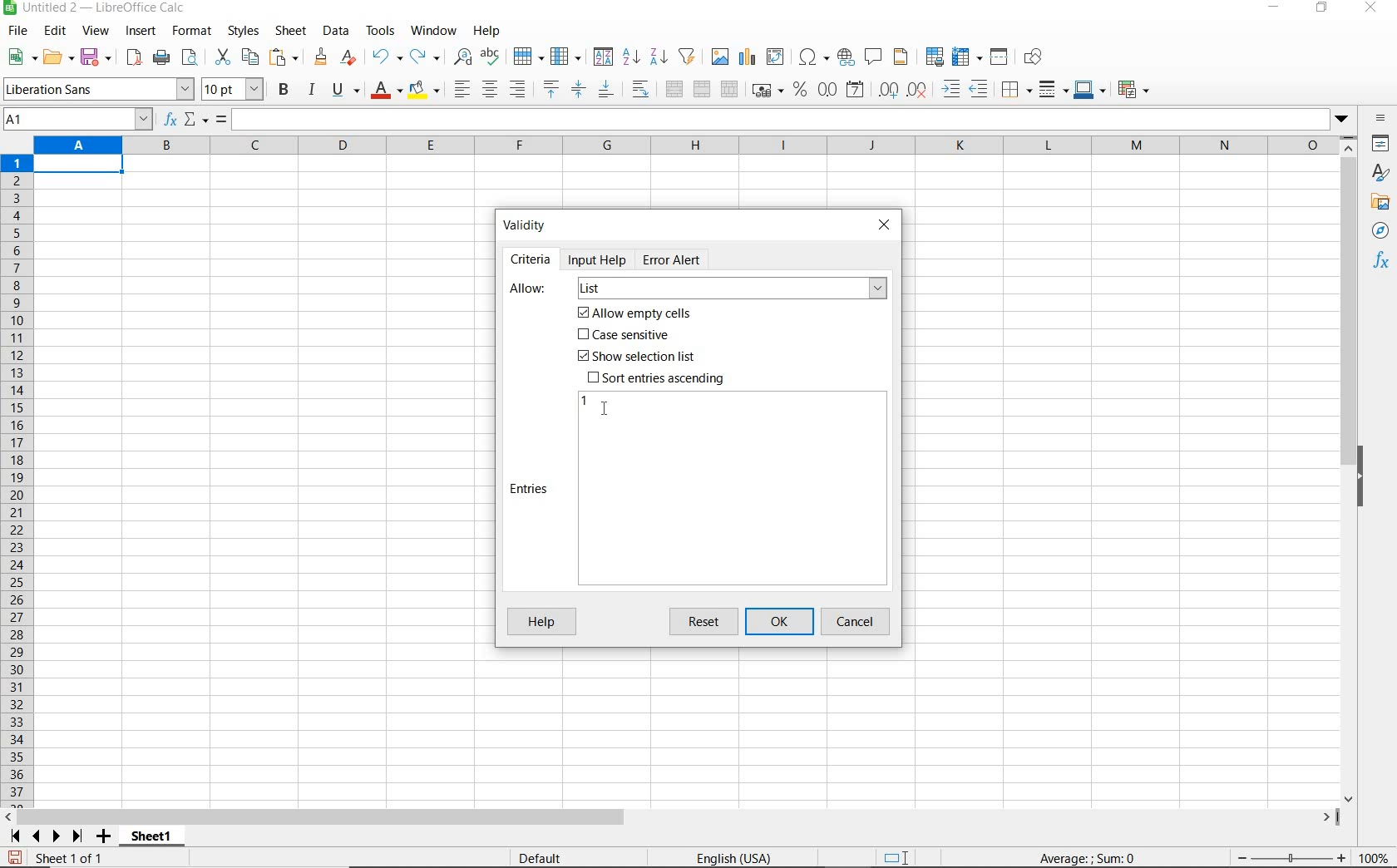 This screenshot has height=868, width=1397. Describe the element at coordinates (98, 89) in the screenshot. I see `font name` at that location.